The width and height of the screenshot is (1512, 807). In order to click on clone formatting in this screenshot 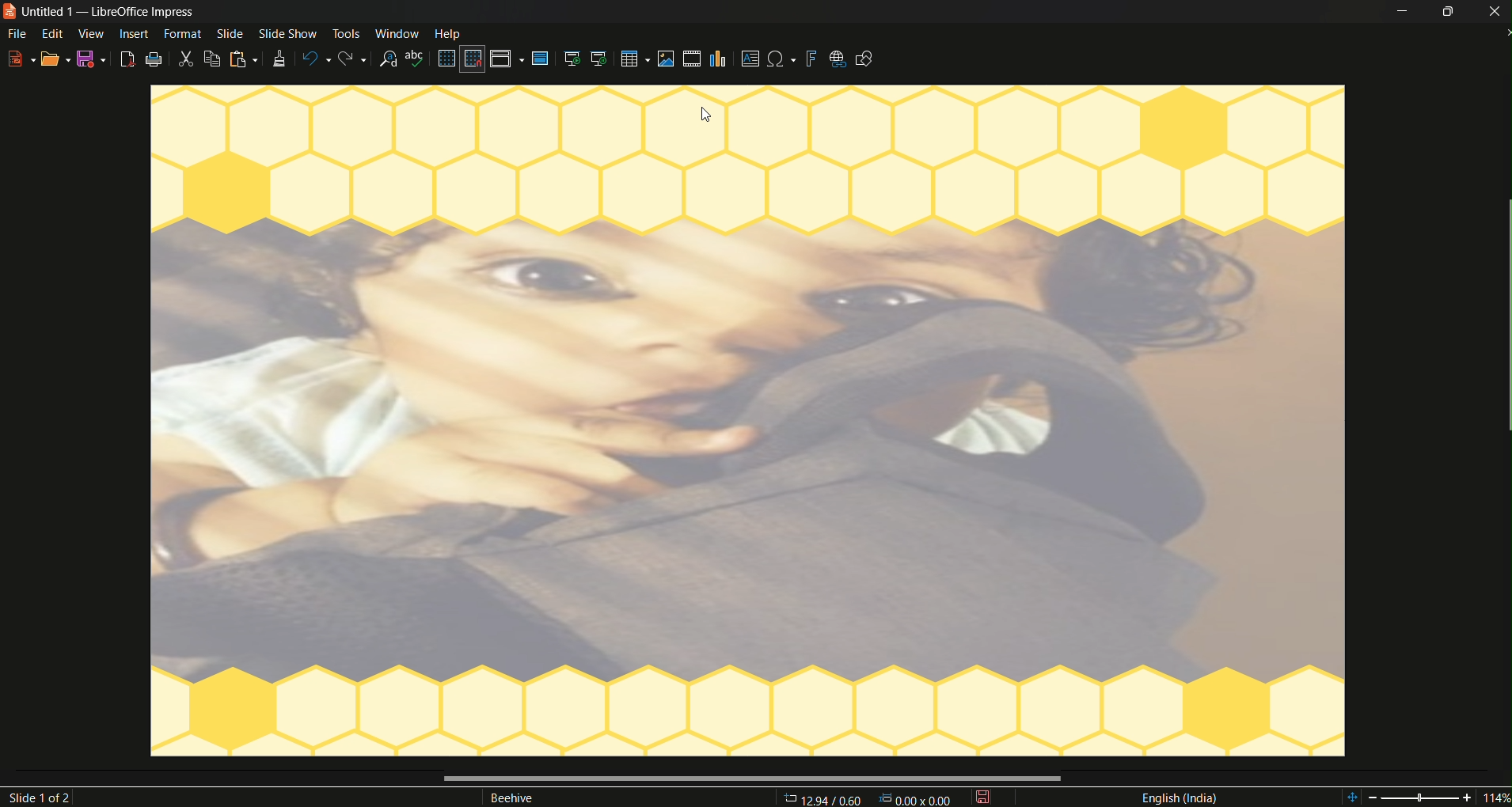, I will do `click(277, 59)`.